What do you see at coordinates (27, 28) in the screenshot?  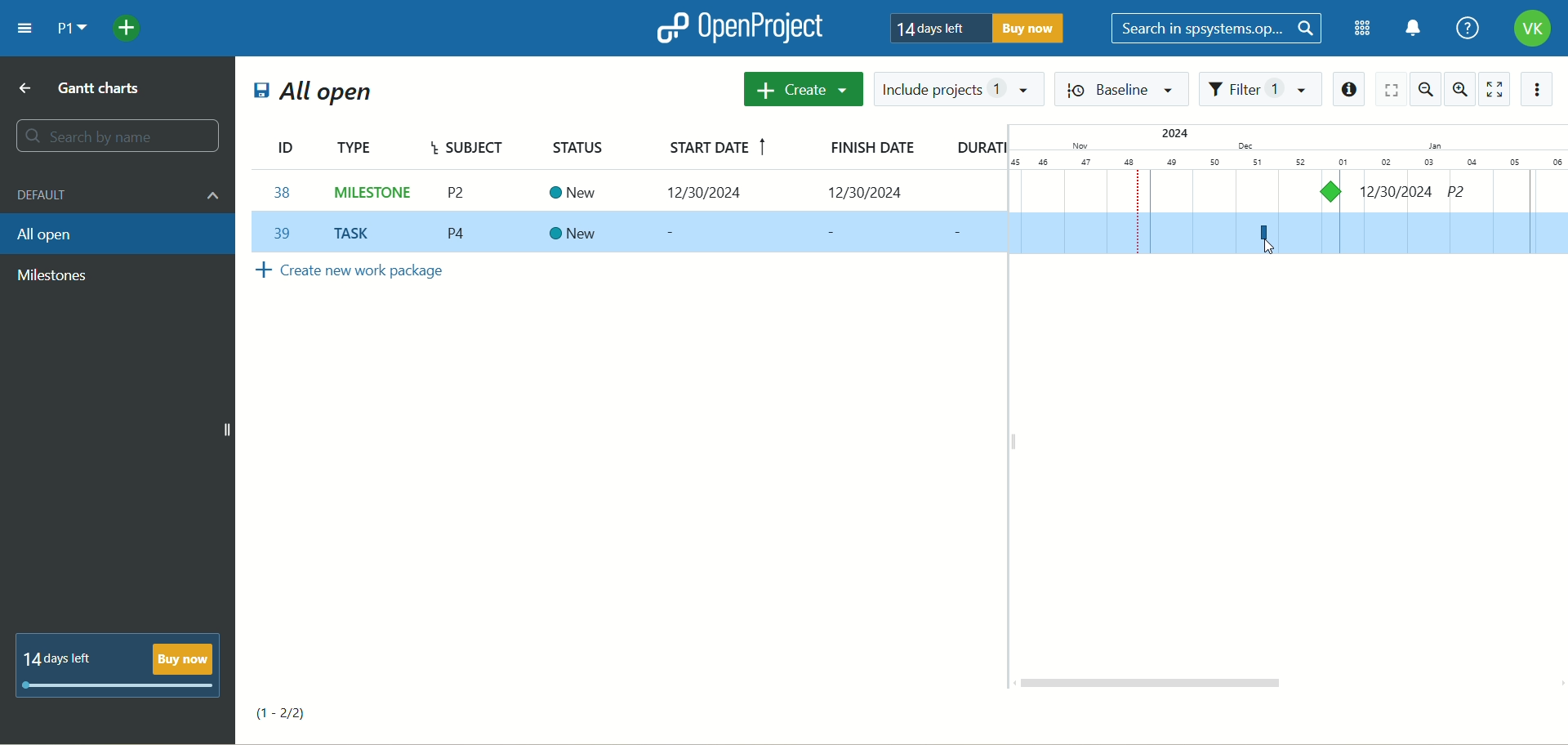 I see `menu` at bounding box center [27, 28].